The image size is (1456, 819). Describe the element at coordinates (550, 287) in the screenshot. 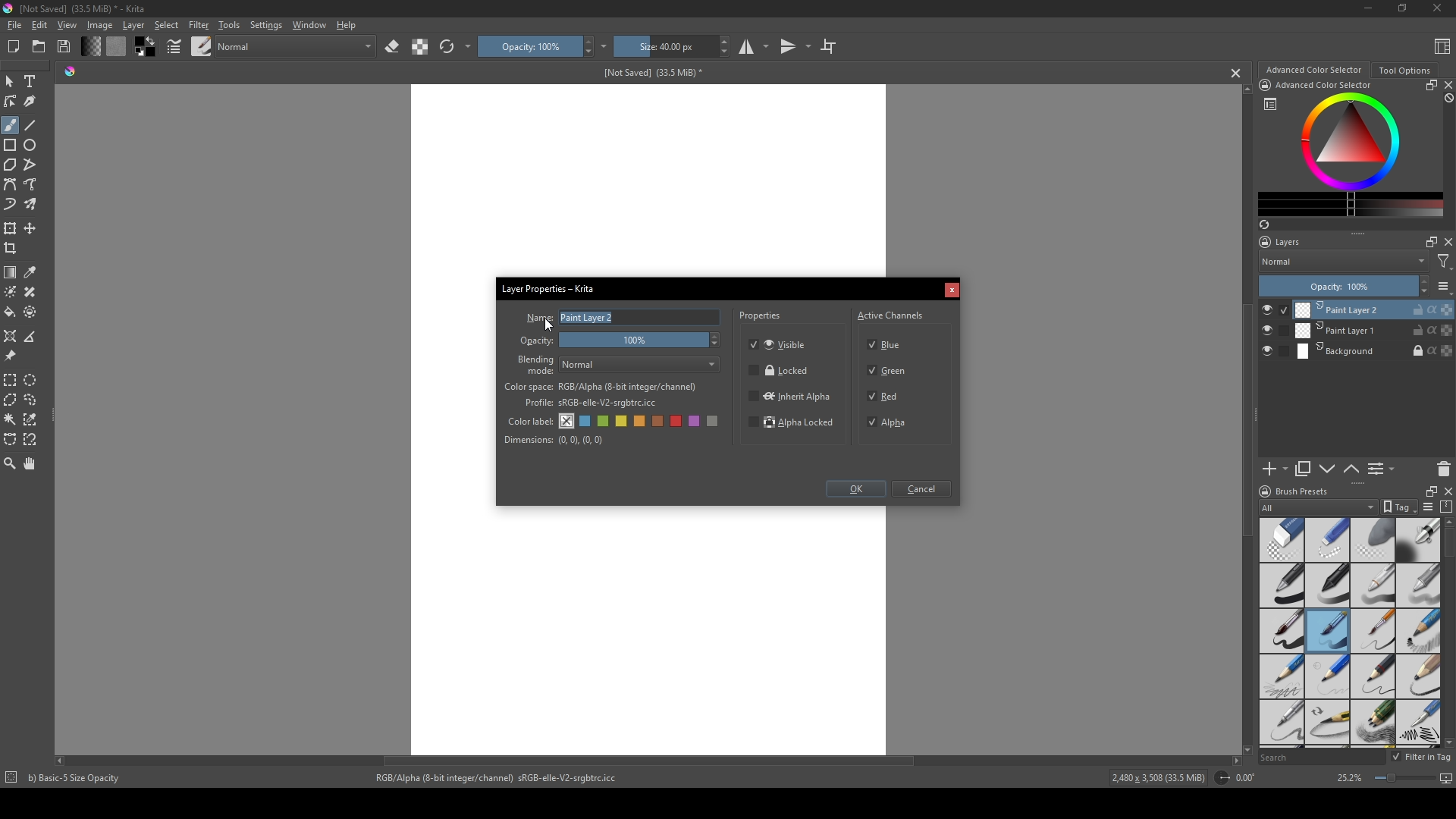

I see `Layer Properties - Krita` at that location.